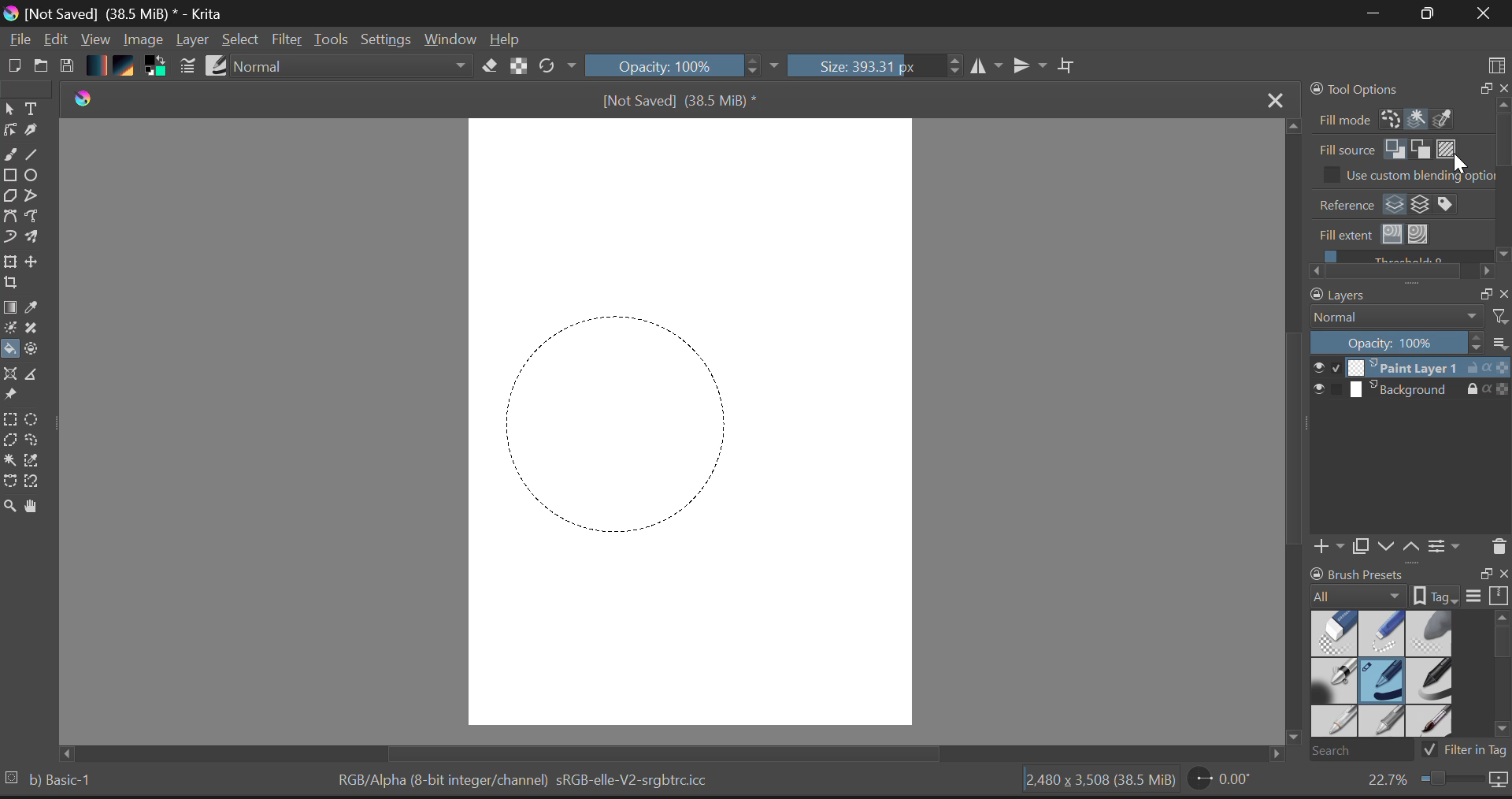 The height and width of the screenshot is (799, 1512). What do you see at coordinates (35, 199) in the screenshot?
I see `Polyline` at bounding box center [35, 199].